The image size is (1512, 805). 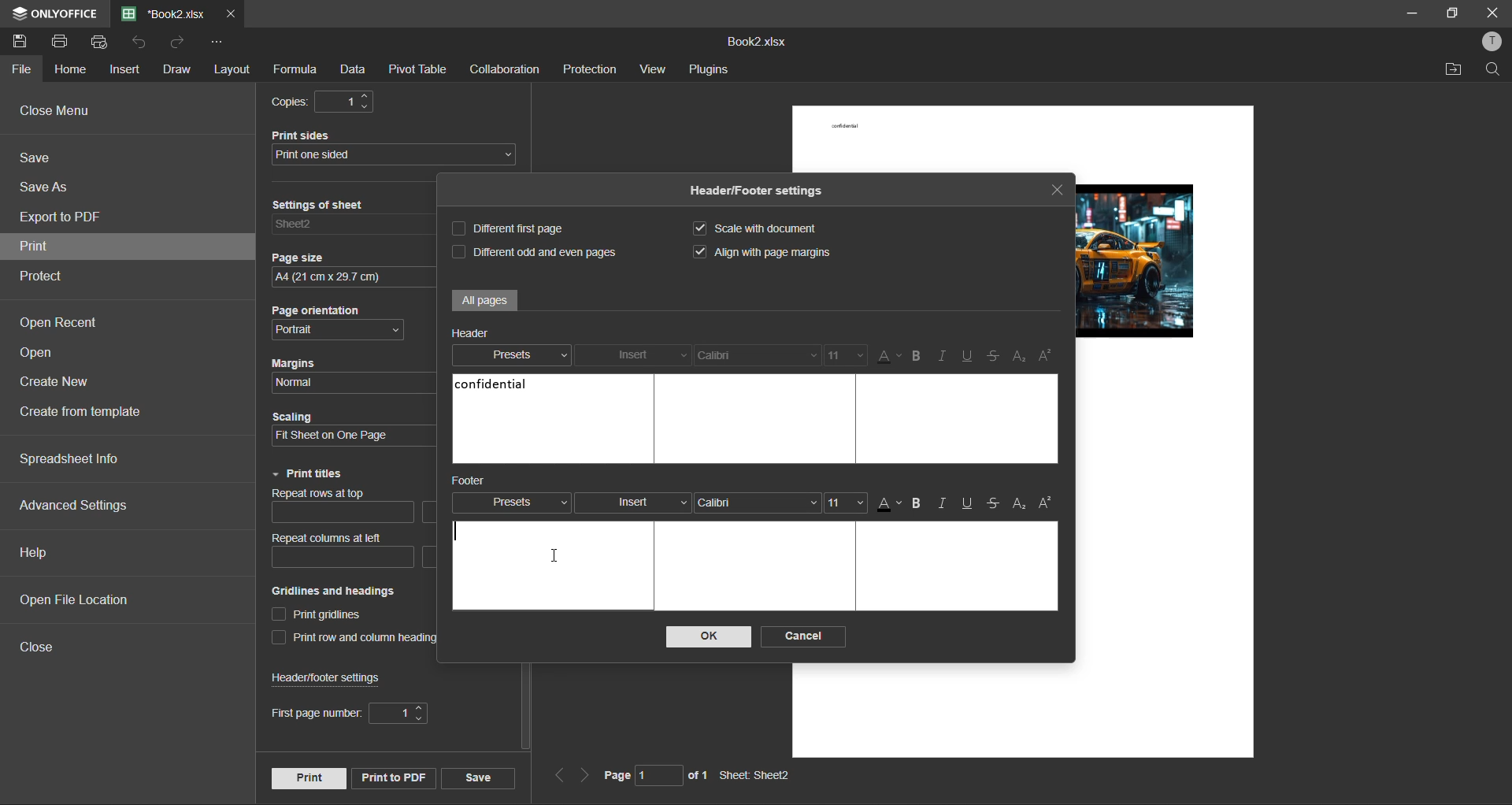 What do you see at coordinates (472, 480) in the screenshot?
I see `Footer` at bounding box center [472, 480].